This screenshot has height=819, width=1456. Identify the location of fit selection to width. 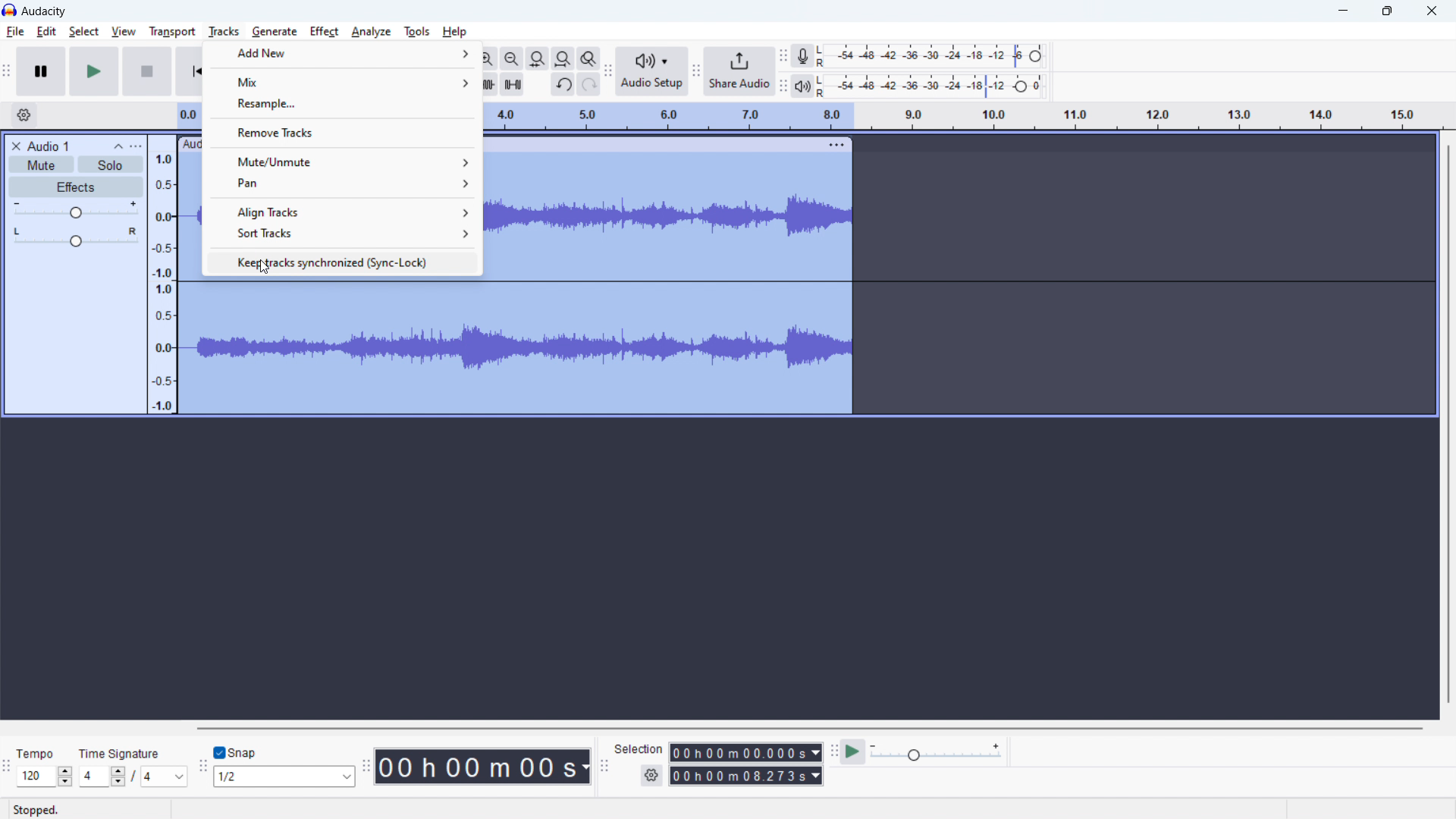
(538, 58).